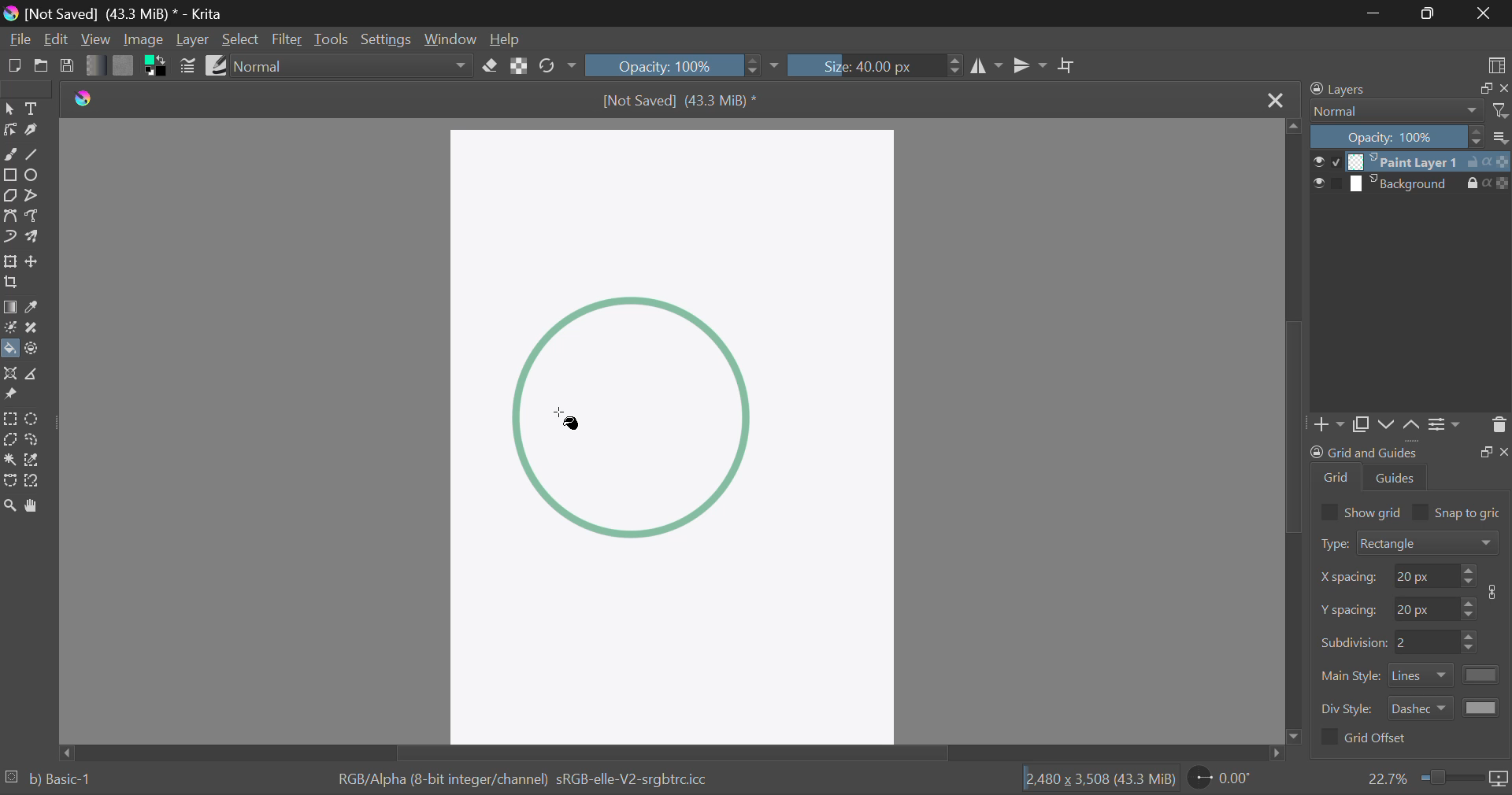  What do you see at coordinates (31, 109) in the screenshot?
I see `Text` at bounding box center [31, 109].